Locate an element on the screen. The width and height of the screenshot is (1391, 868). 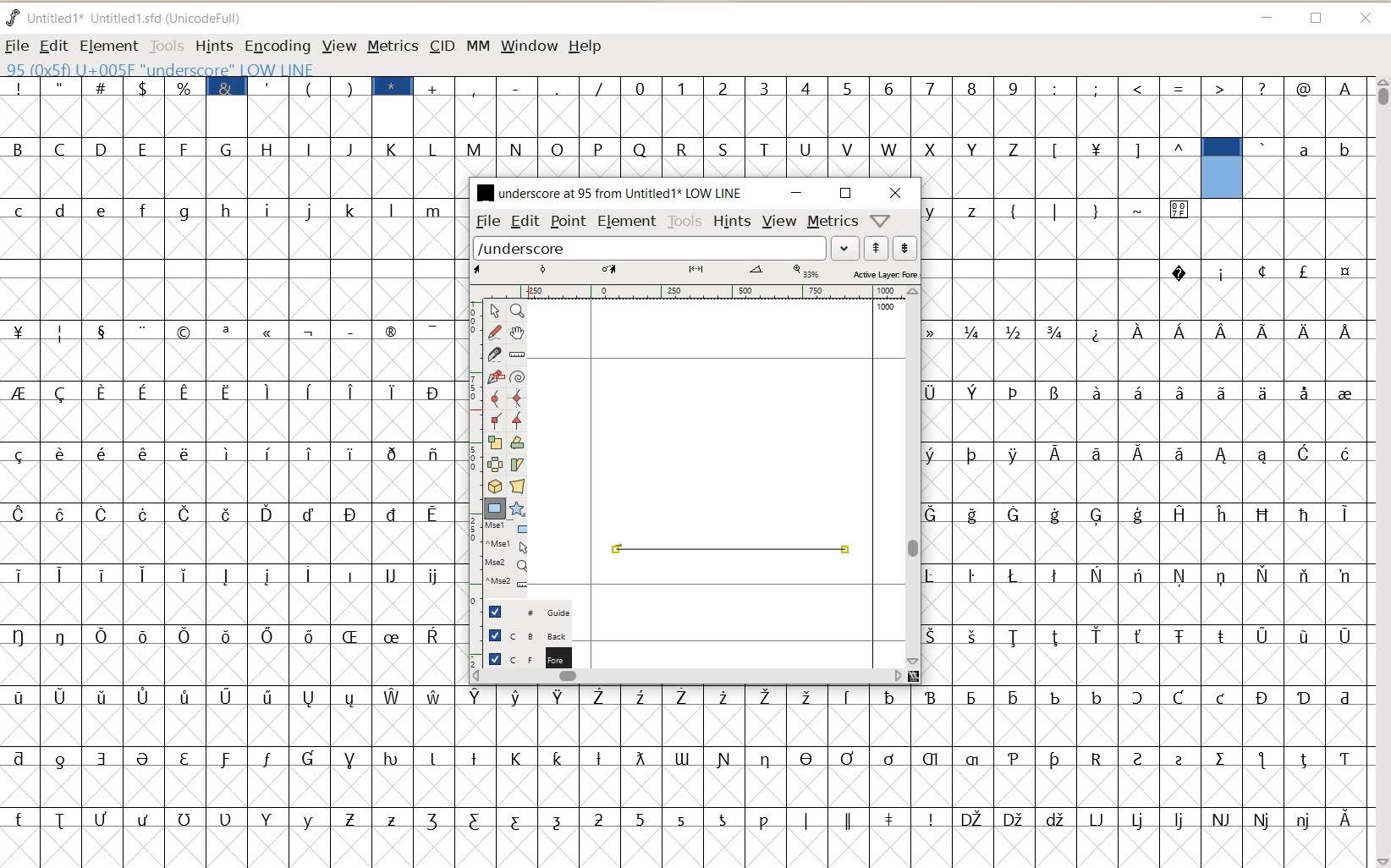
rectangle or ellipse is located at coordinates (496, 508).